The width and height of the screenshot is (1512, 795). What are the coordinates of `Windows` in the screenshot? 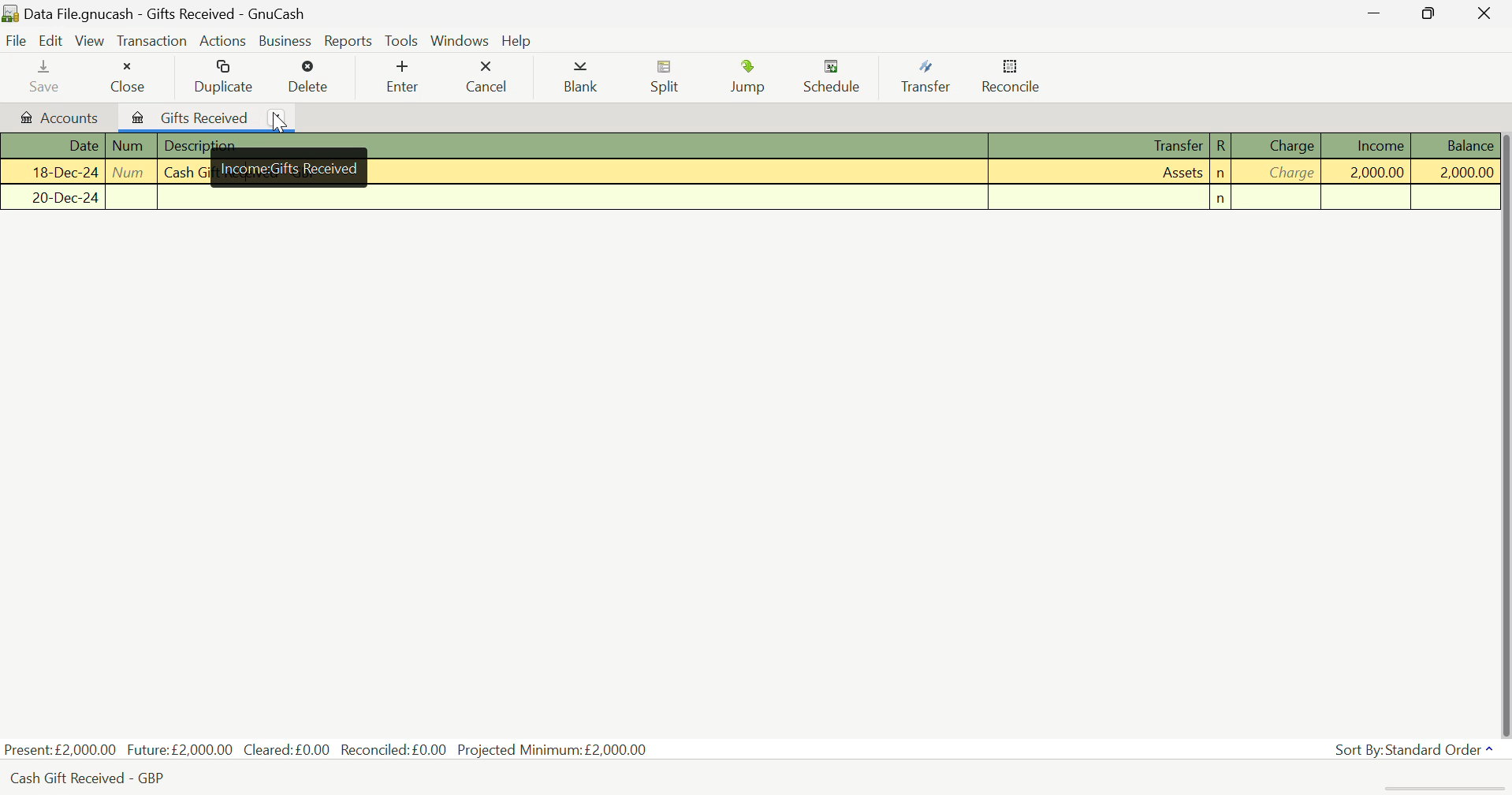 It's located at (460, 39).